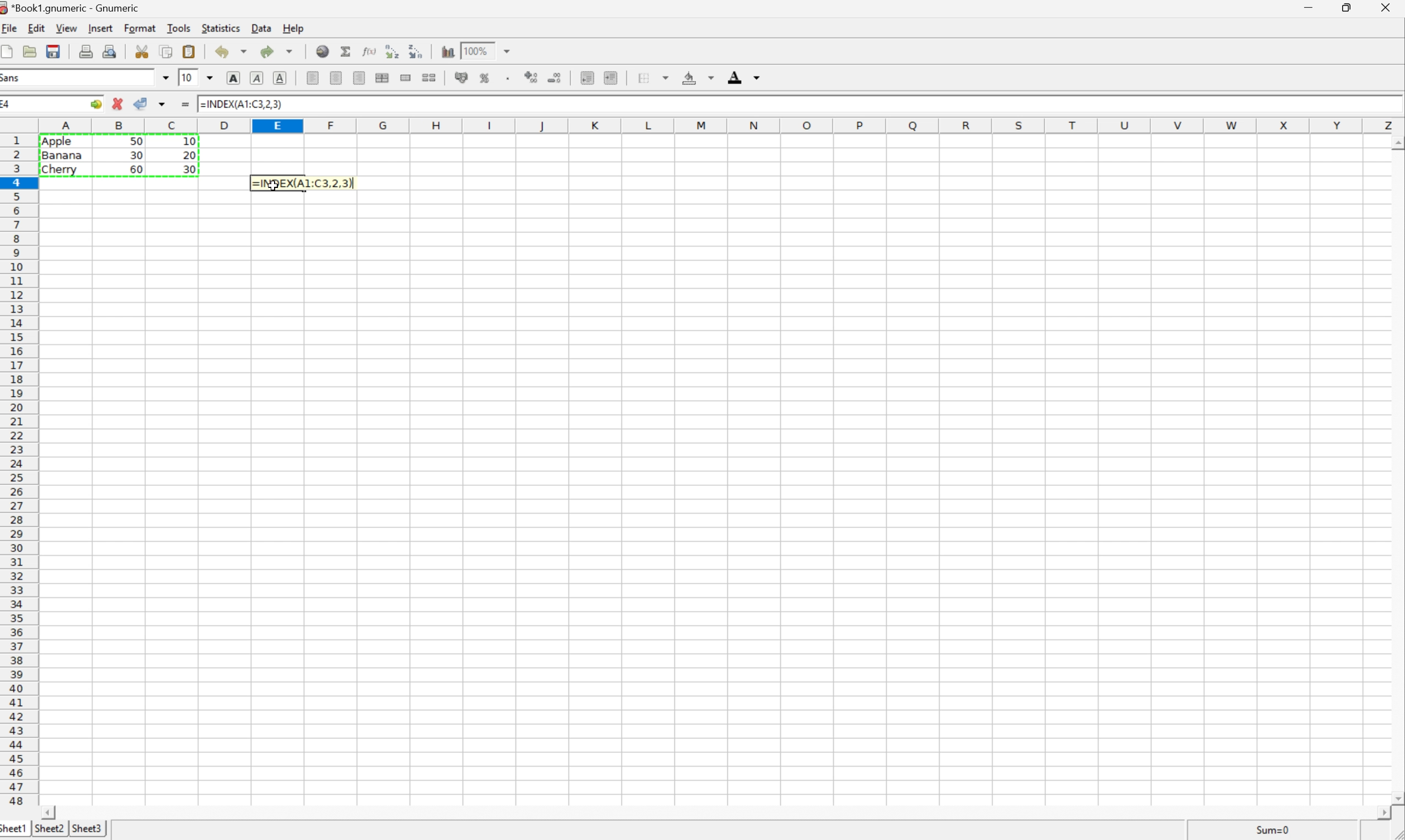 This screenshot has width=1405, height=840. What do you see at coordinates (406, 76) in the screenshot?
I see `merge a range of cell` at bounding box center [406, 76].